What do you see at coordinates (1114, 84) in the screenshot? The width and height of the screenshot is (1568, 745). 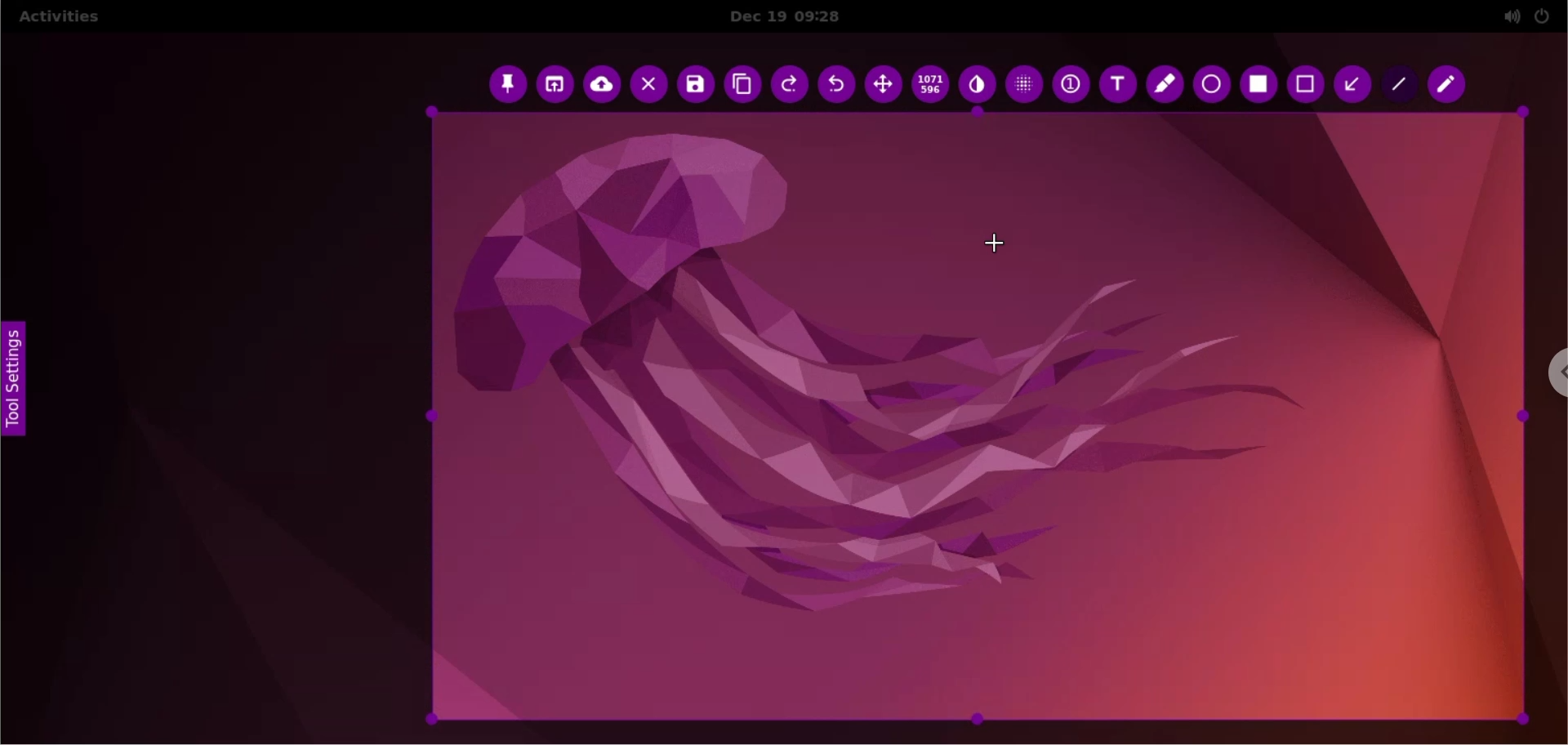 I see `text` at bounding box center [1114, 84].